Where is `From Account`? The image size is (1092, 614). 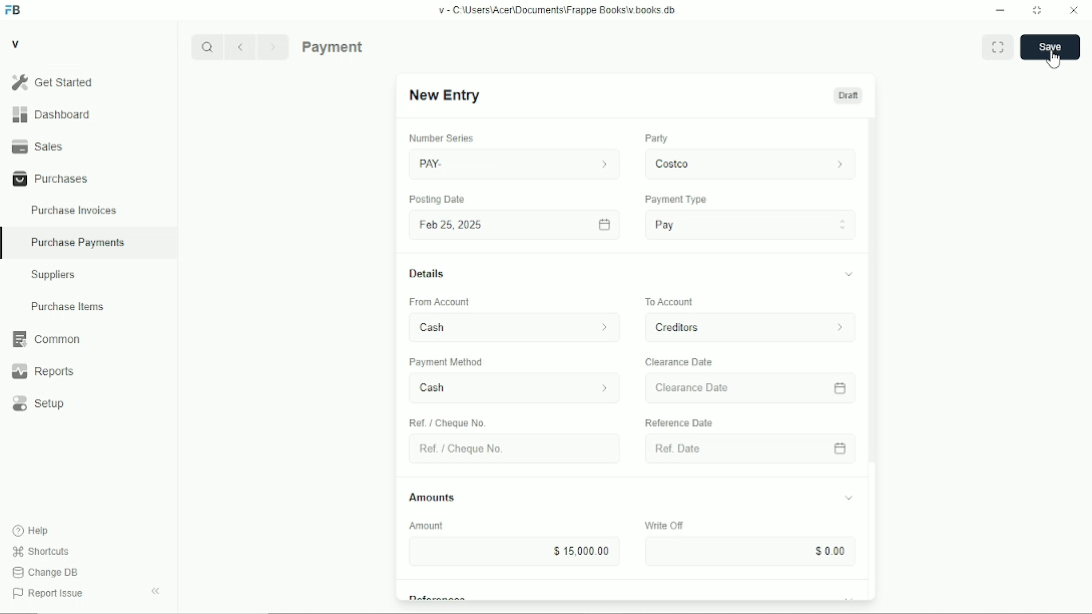
From Account is located at coordinates (508, 325).